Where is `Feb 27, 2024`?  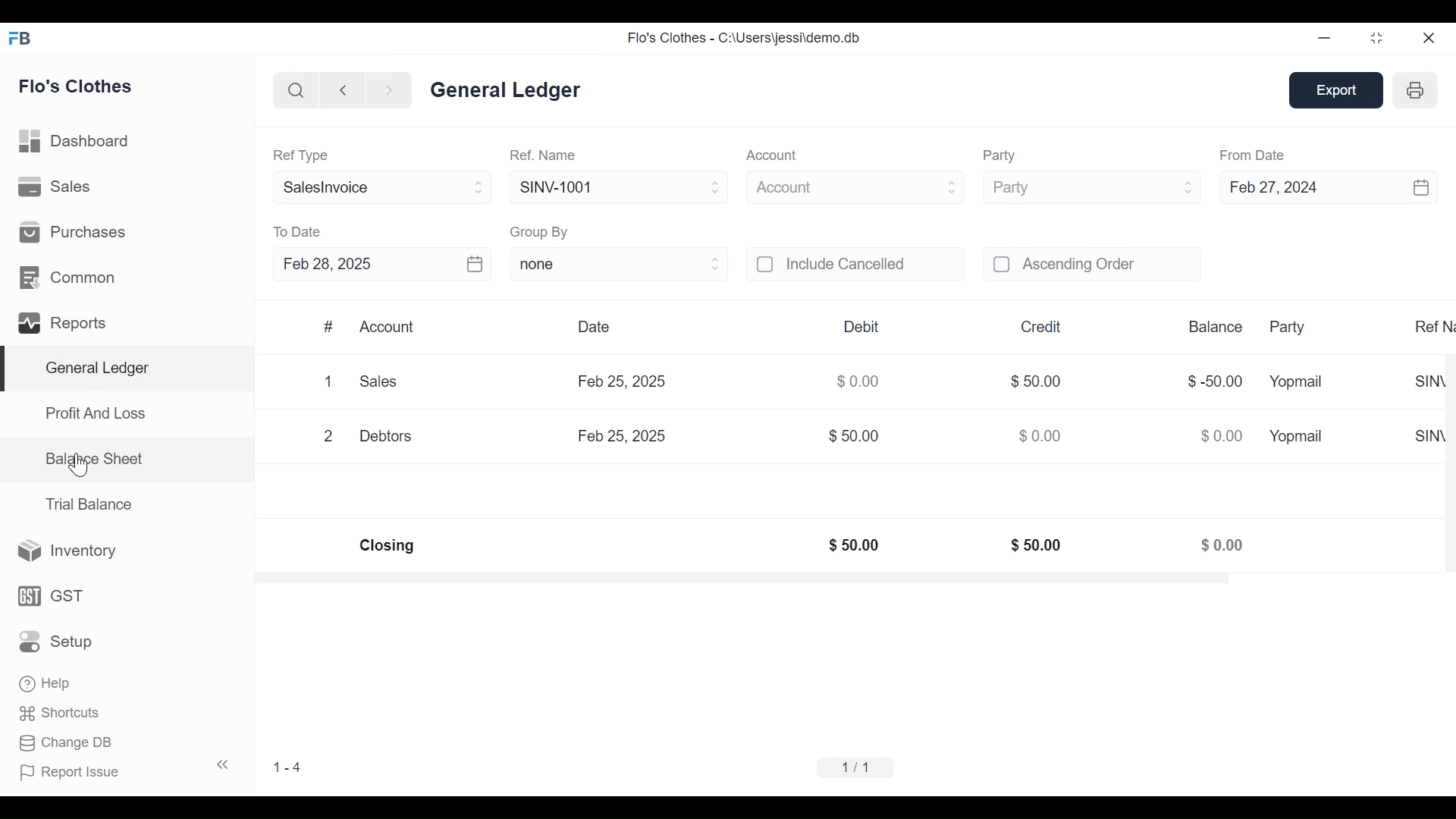
Feb 27, 2024 is located at coordinates (1283, 187).